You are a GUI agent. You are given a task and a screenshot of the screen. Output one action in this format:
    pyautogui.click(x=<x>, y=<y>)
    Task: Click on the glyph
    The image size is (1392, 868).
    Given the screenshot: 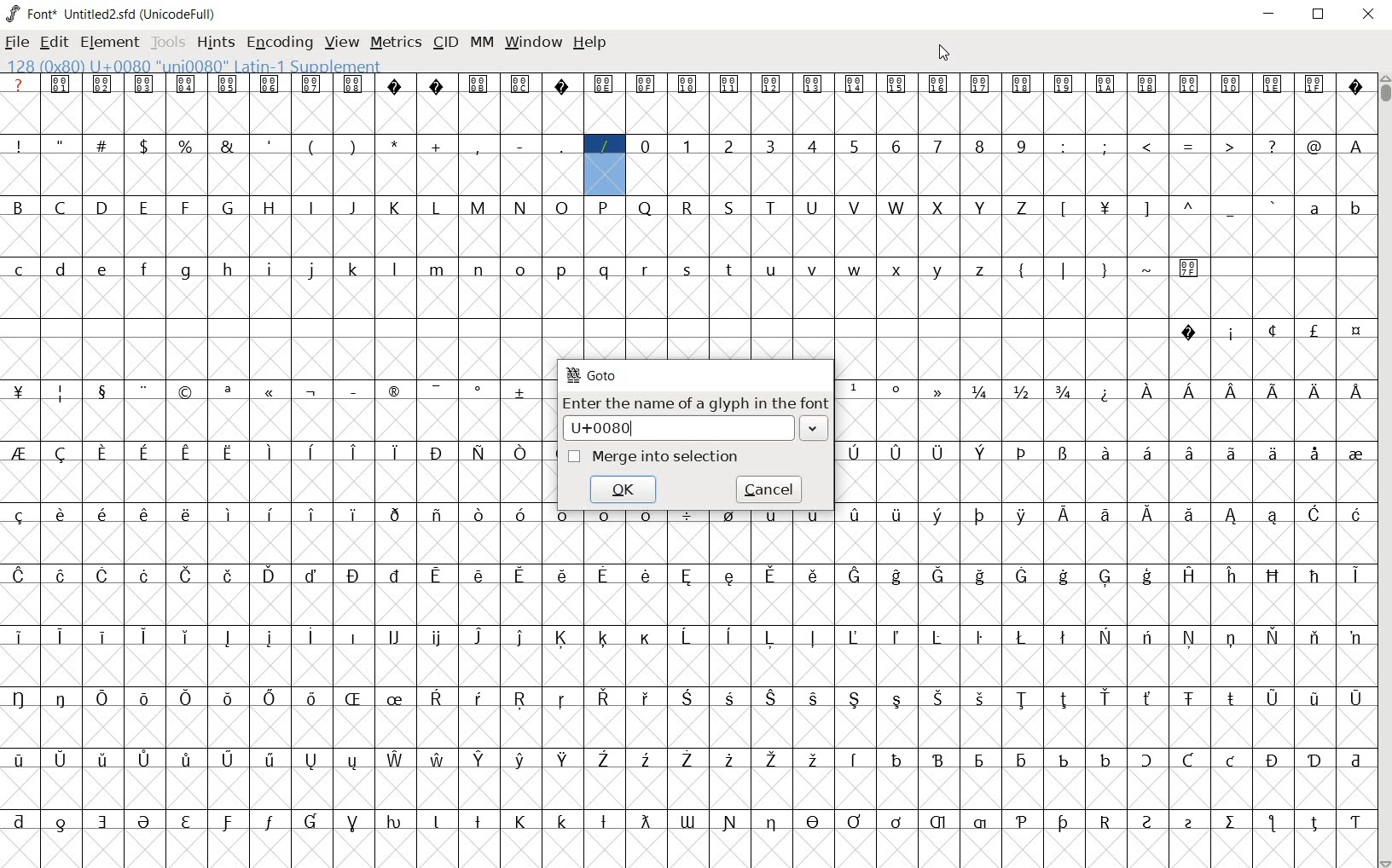 What is the action you would take?
    pyautogui.click(x=101, y=698)
    